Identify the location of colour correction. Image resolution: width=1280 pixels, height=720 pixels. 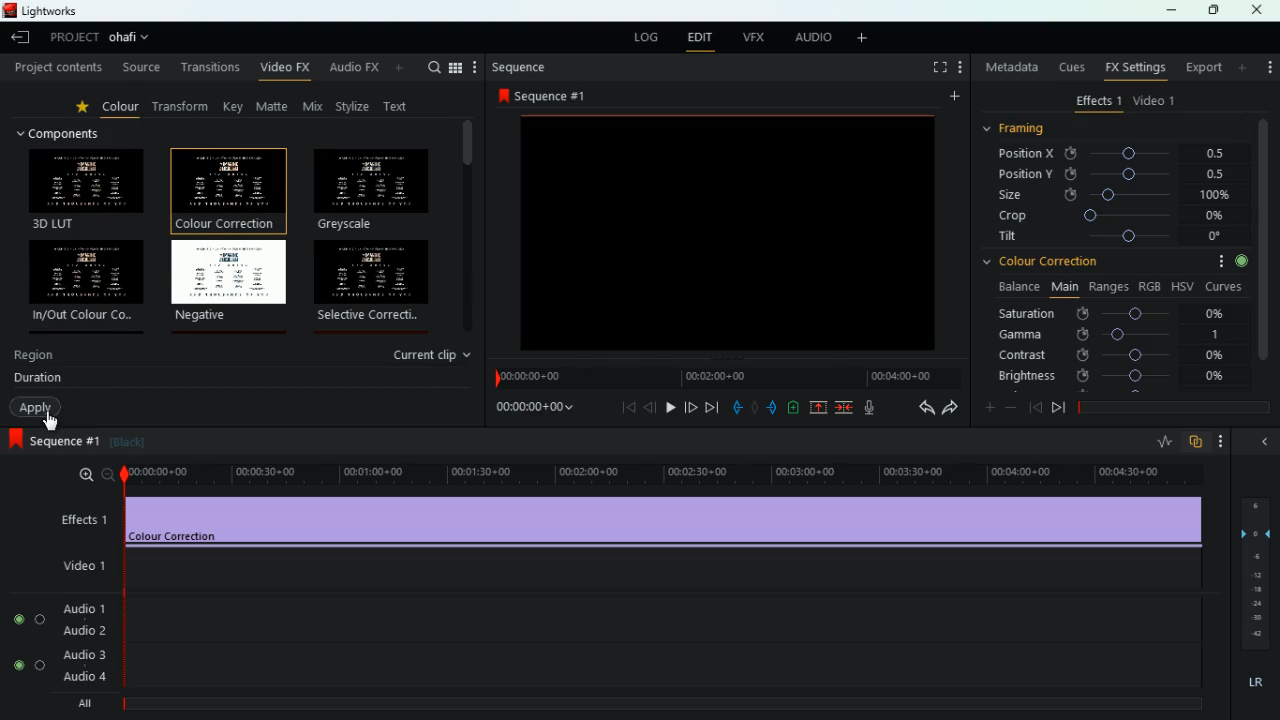
(1118, 262).